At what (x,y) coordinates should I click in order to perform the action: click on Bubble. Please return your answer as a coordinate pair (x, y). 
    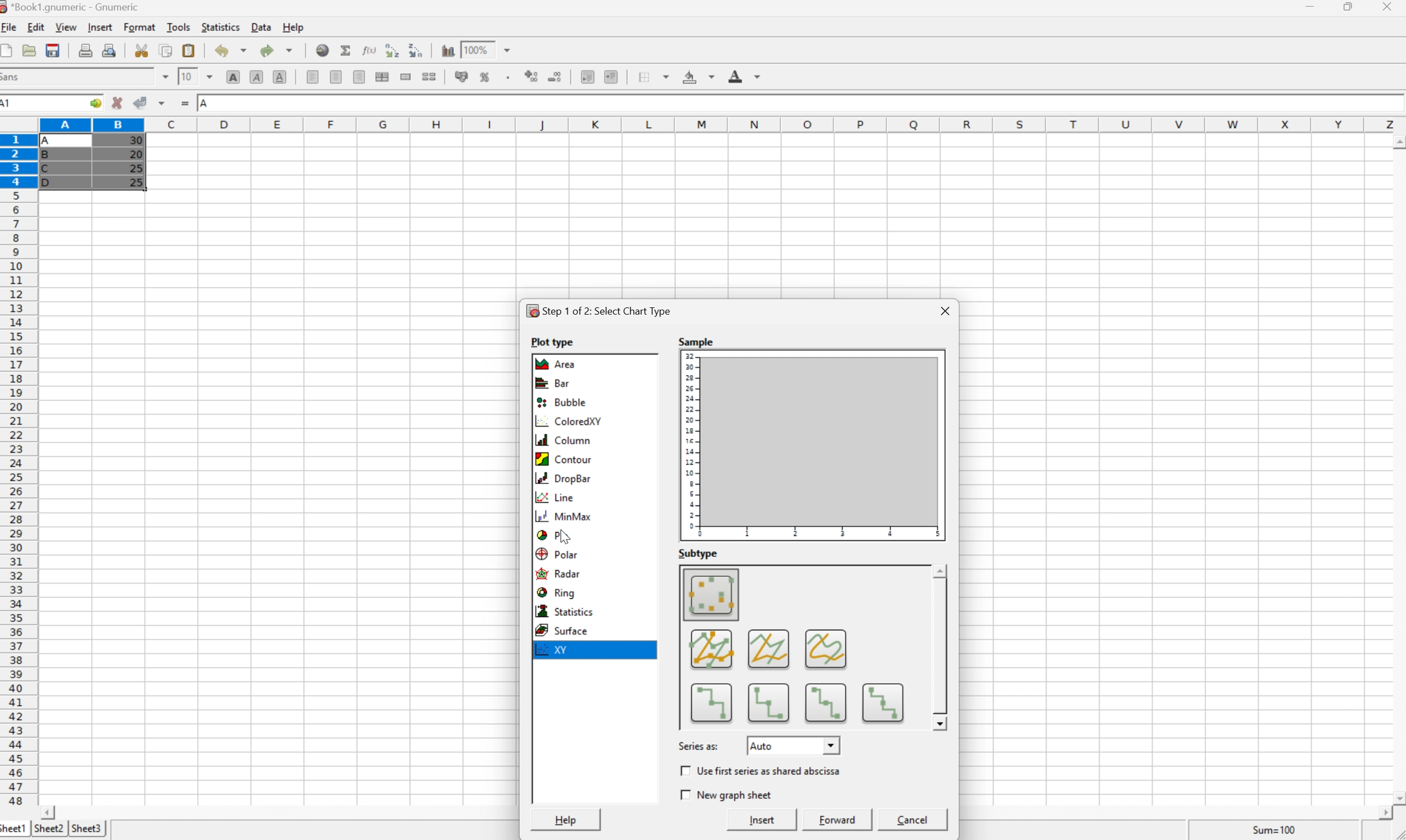
    Looking at the image, I should click on (562, 402).